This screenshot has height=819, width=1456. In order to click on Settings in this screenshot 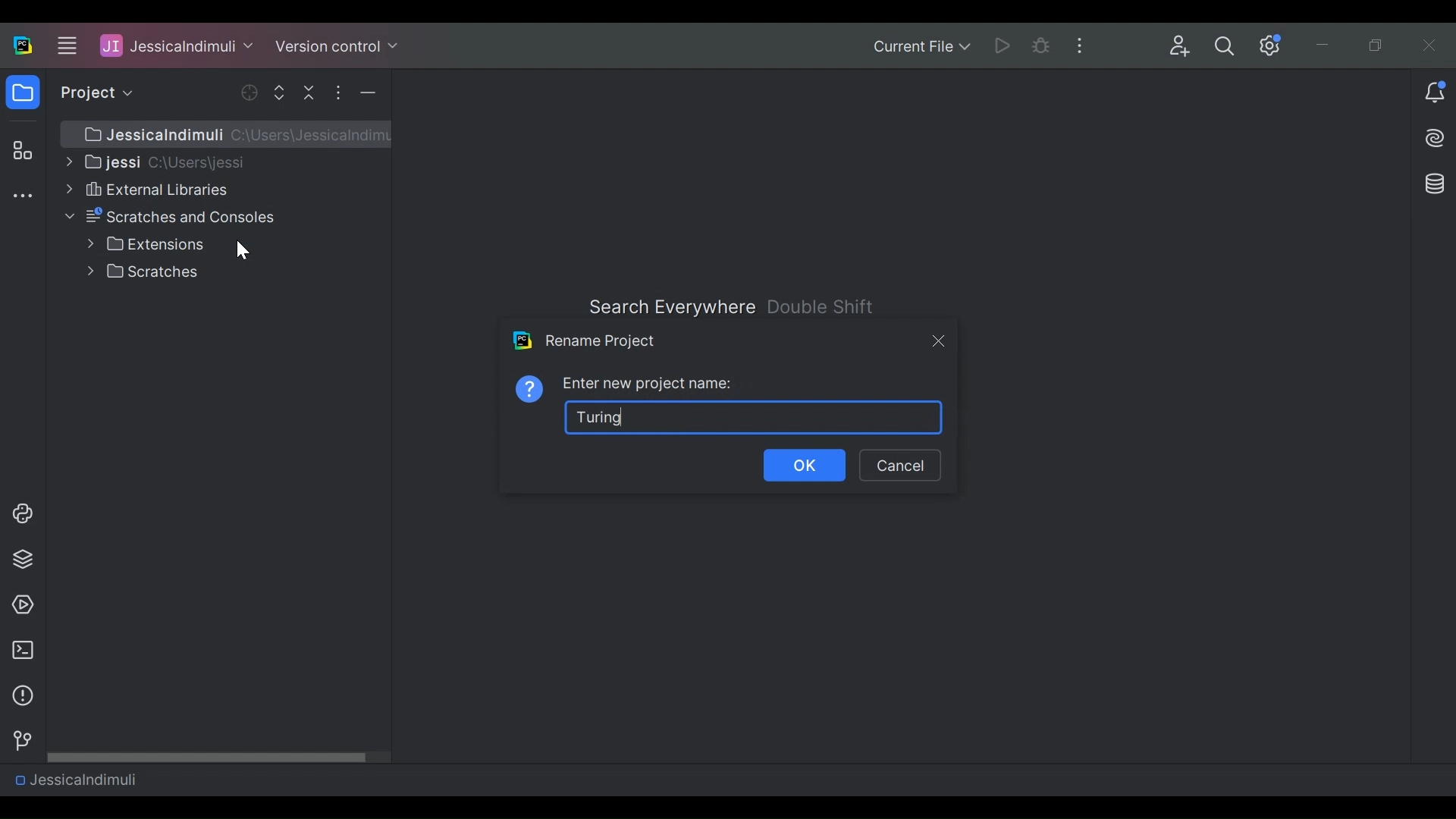, I will do `click(1271, 45)`.